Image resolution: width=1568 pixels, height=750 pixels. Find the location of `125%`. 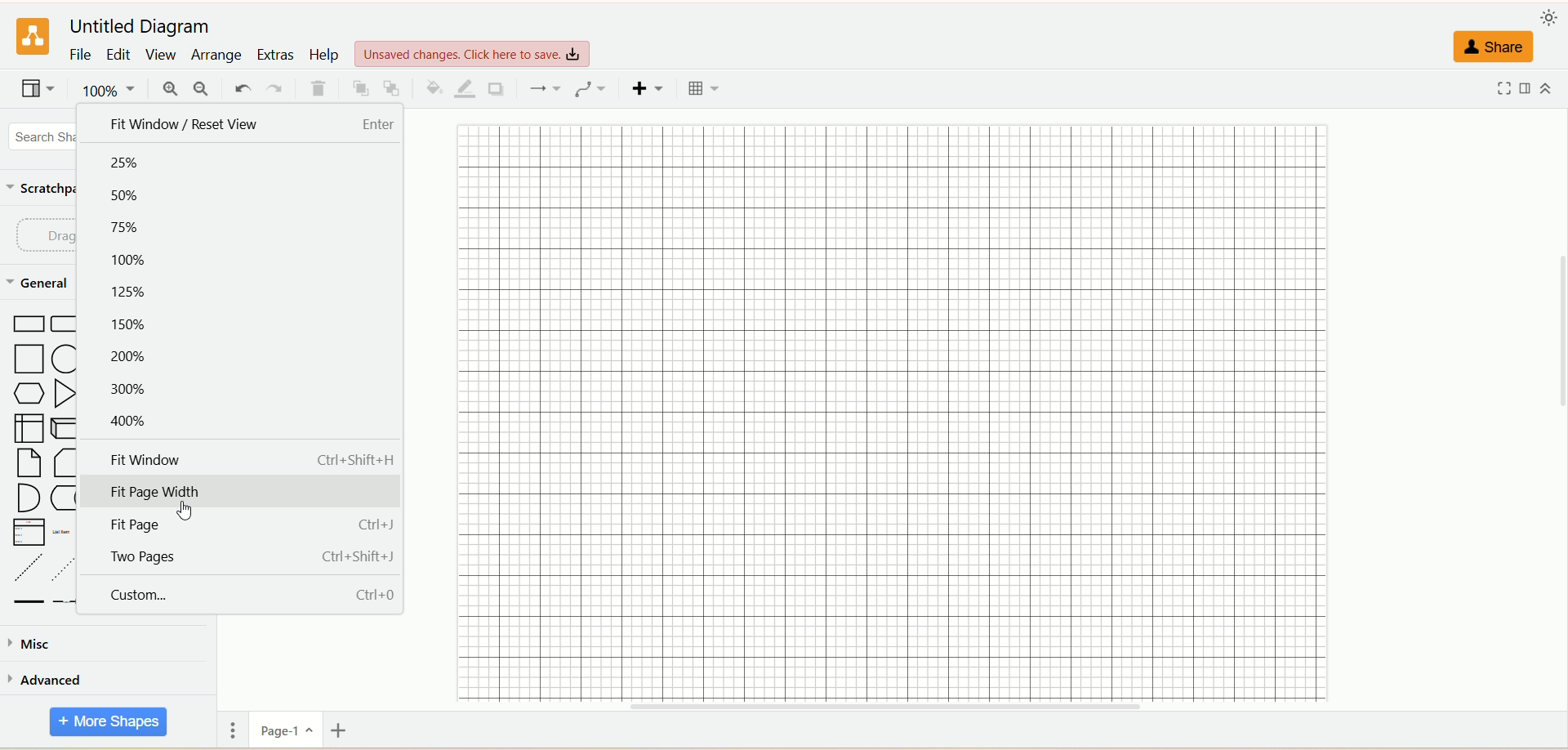

125% is located at coordinates (136, 291).